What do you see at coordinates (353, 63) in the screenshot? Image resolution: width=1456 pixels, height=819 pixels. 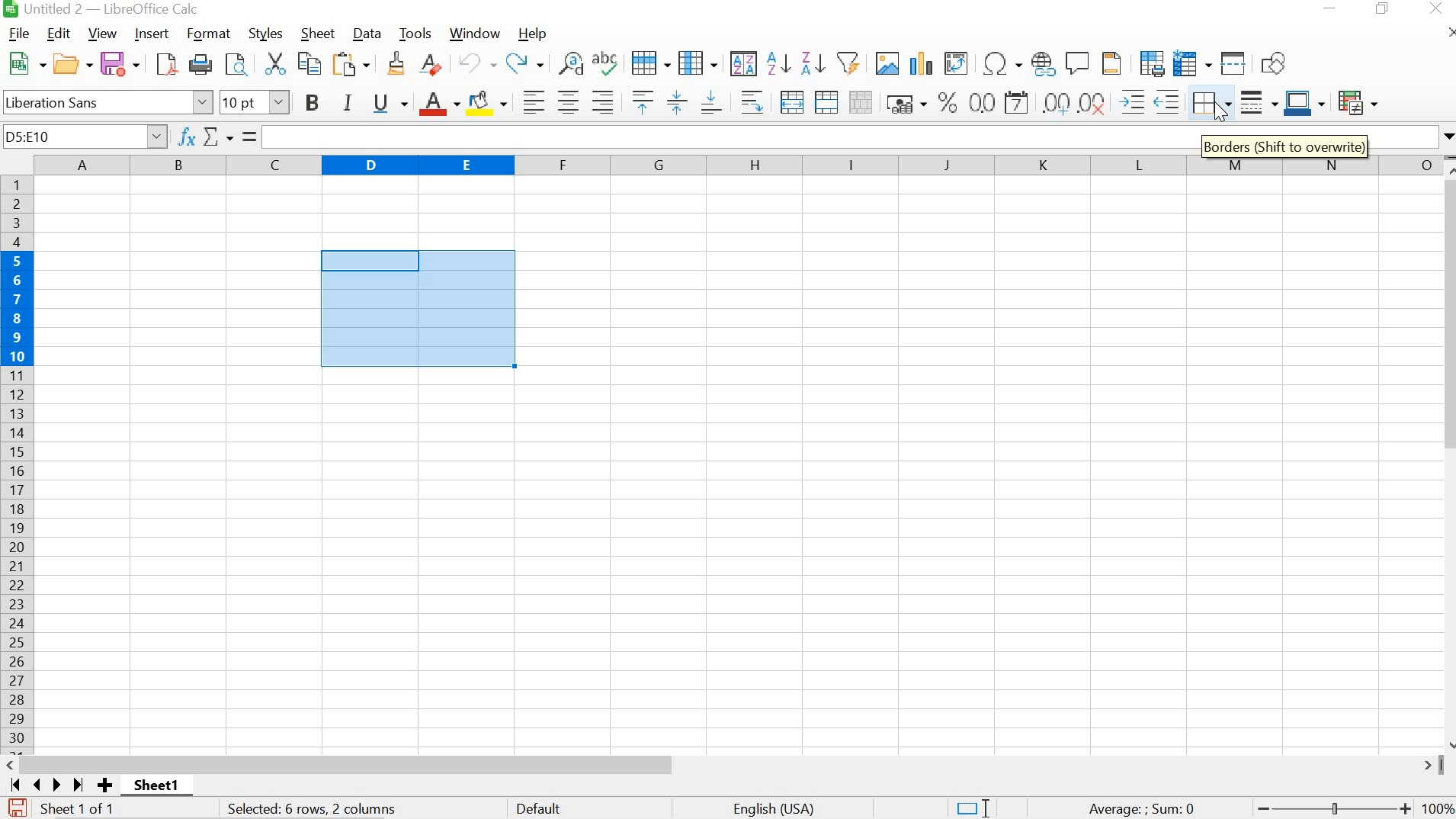 I see `paste` at bounding box center [353, 63].